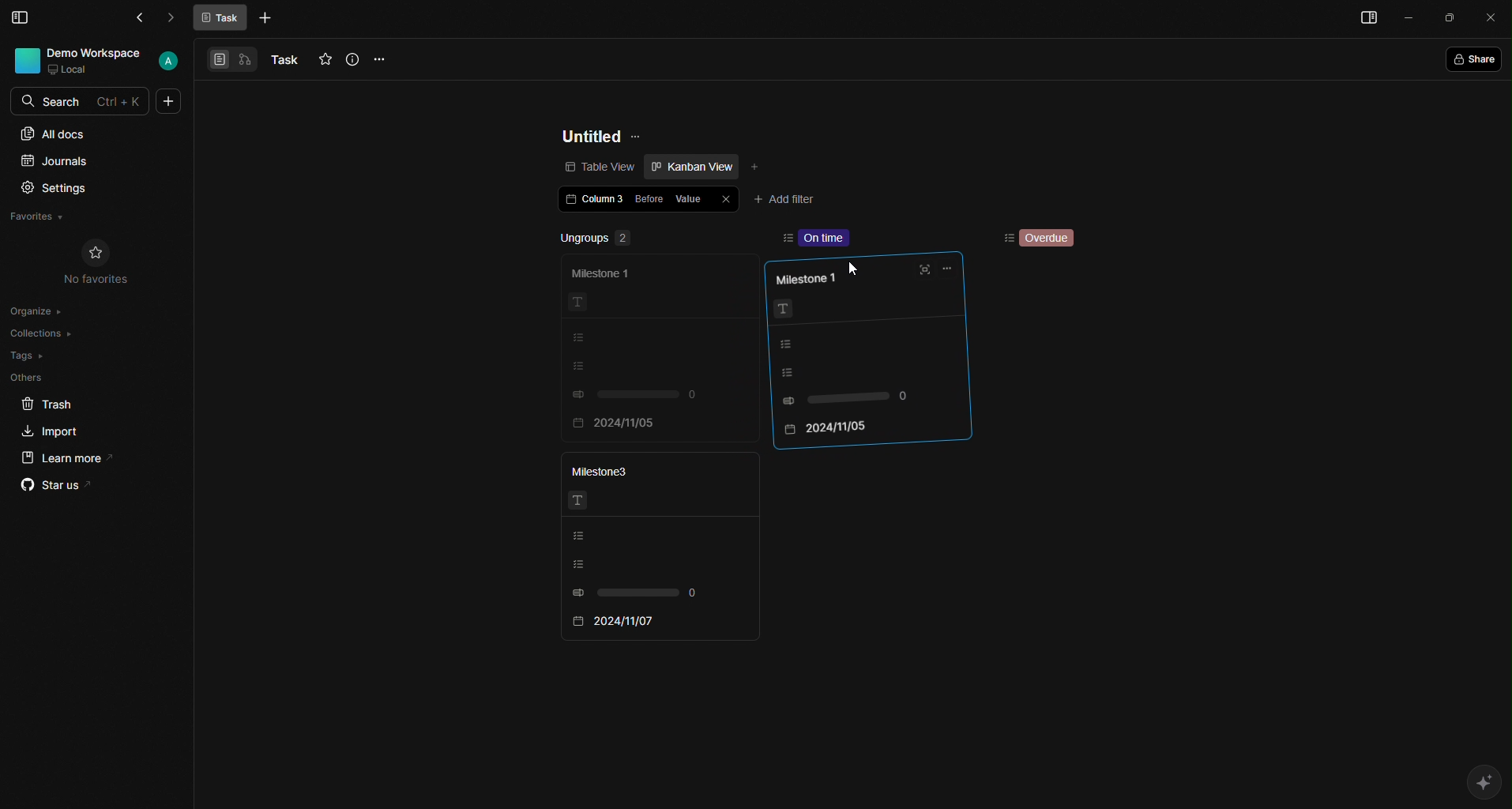  I want to click on Untitled, so click(592, 134).